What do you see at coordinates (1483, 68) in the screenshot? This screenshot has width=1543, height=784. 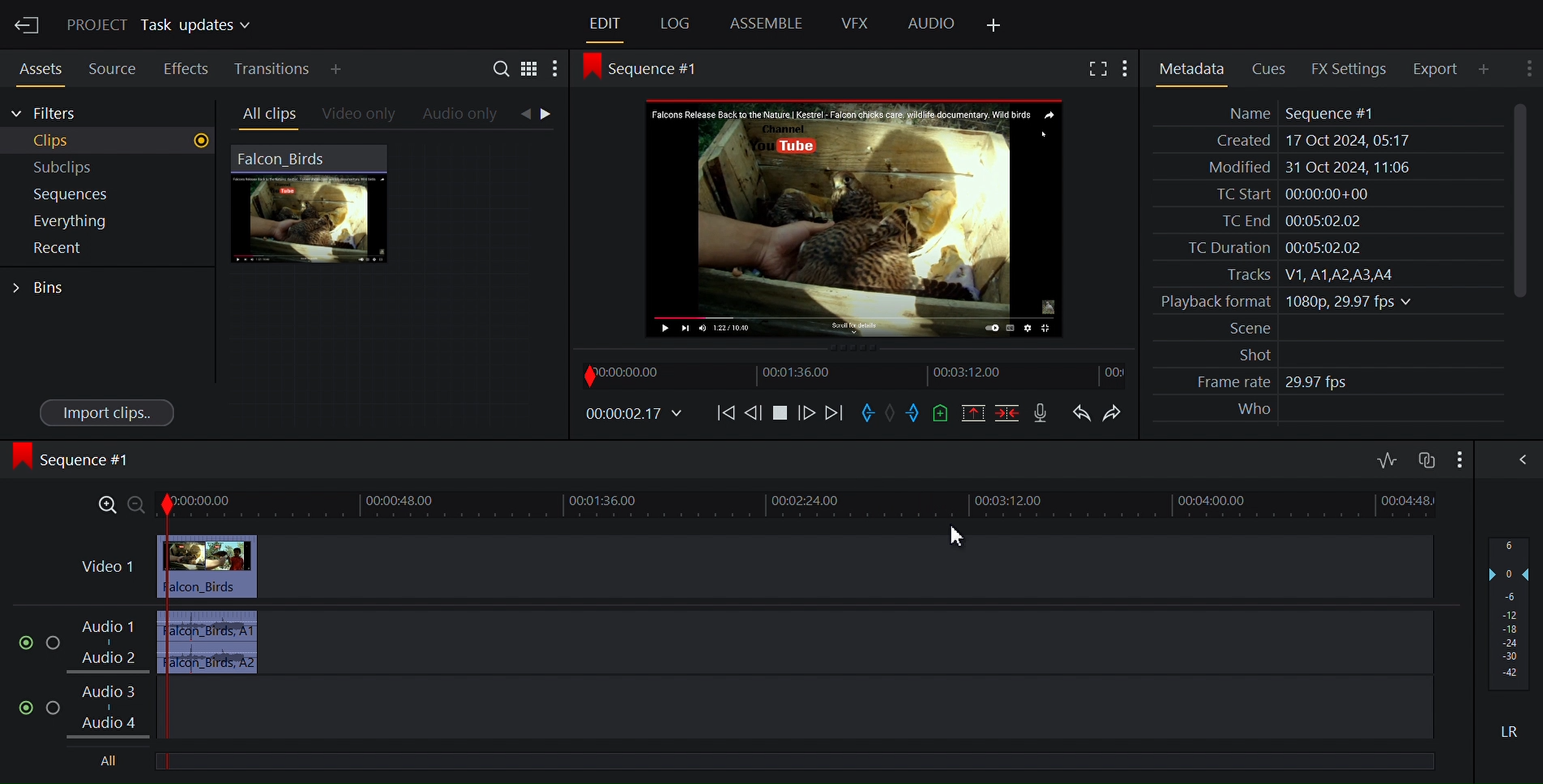 I see `Add Panel` at bounding box center [1483, 68].